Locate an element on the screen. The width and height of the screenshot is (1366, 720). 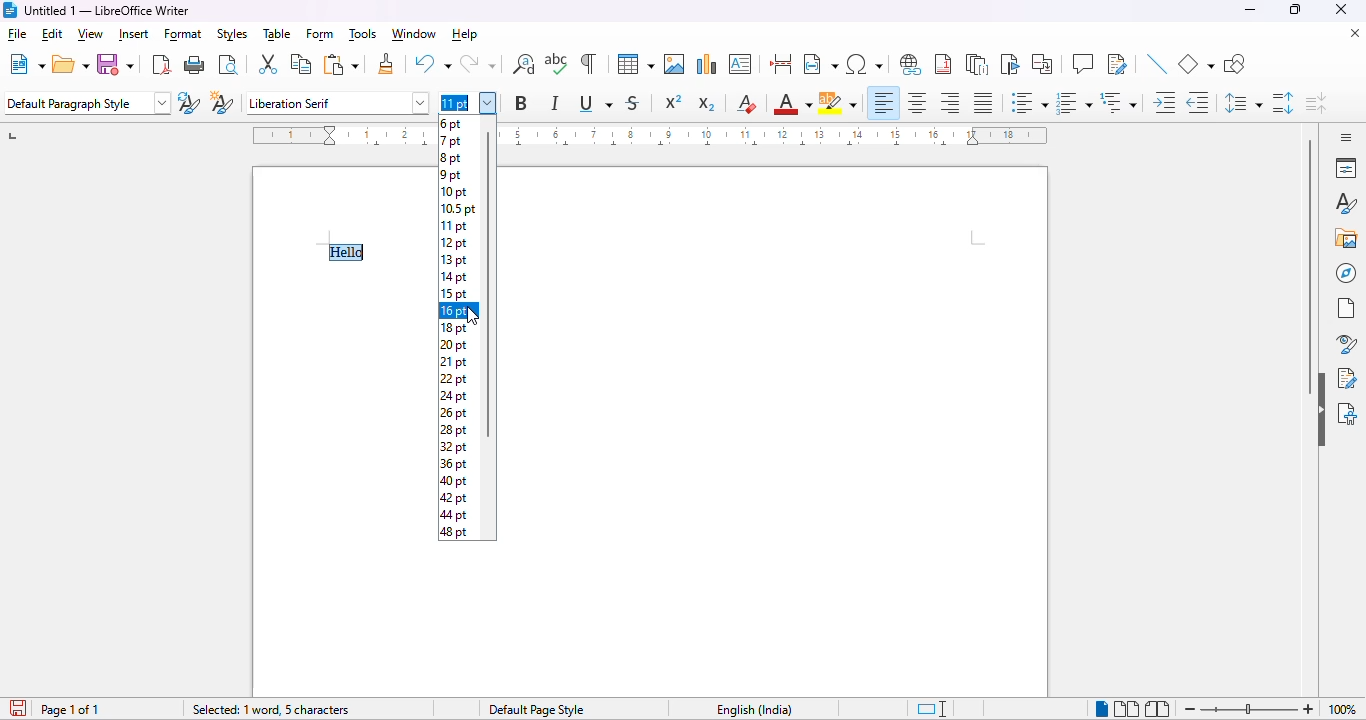
Untitle 1 -LibreOffice Writer is located at coordinates (111, 11).